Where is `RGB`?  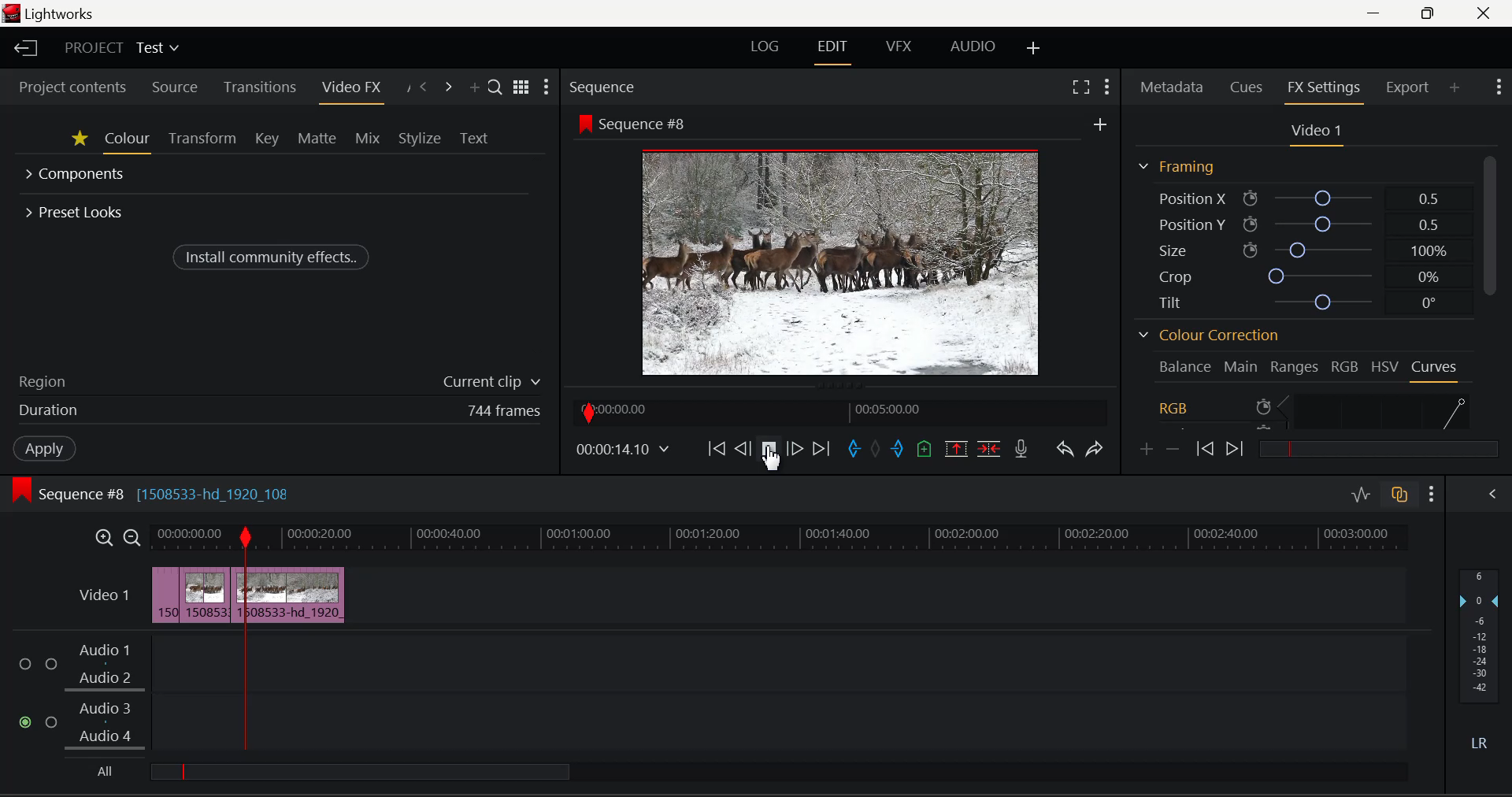
RGB is located at coordinates (1345, 365).